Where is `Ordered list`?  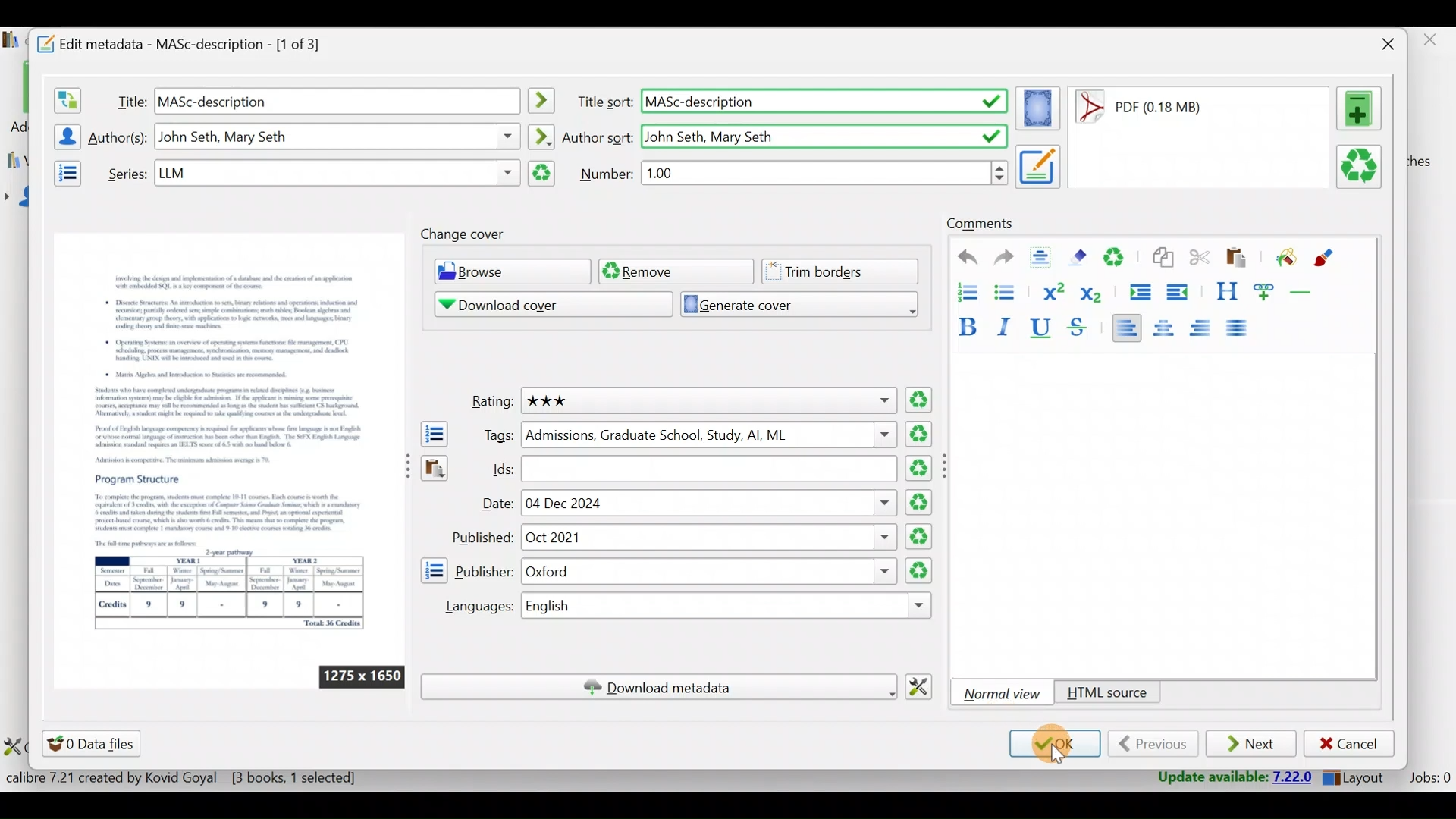 Ordered list is located at coordinates (962, 290).